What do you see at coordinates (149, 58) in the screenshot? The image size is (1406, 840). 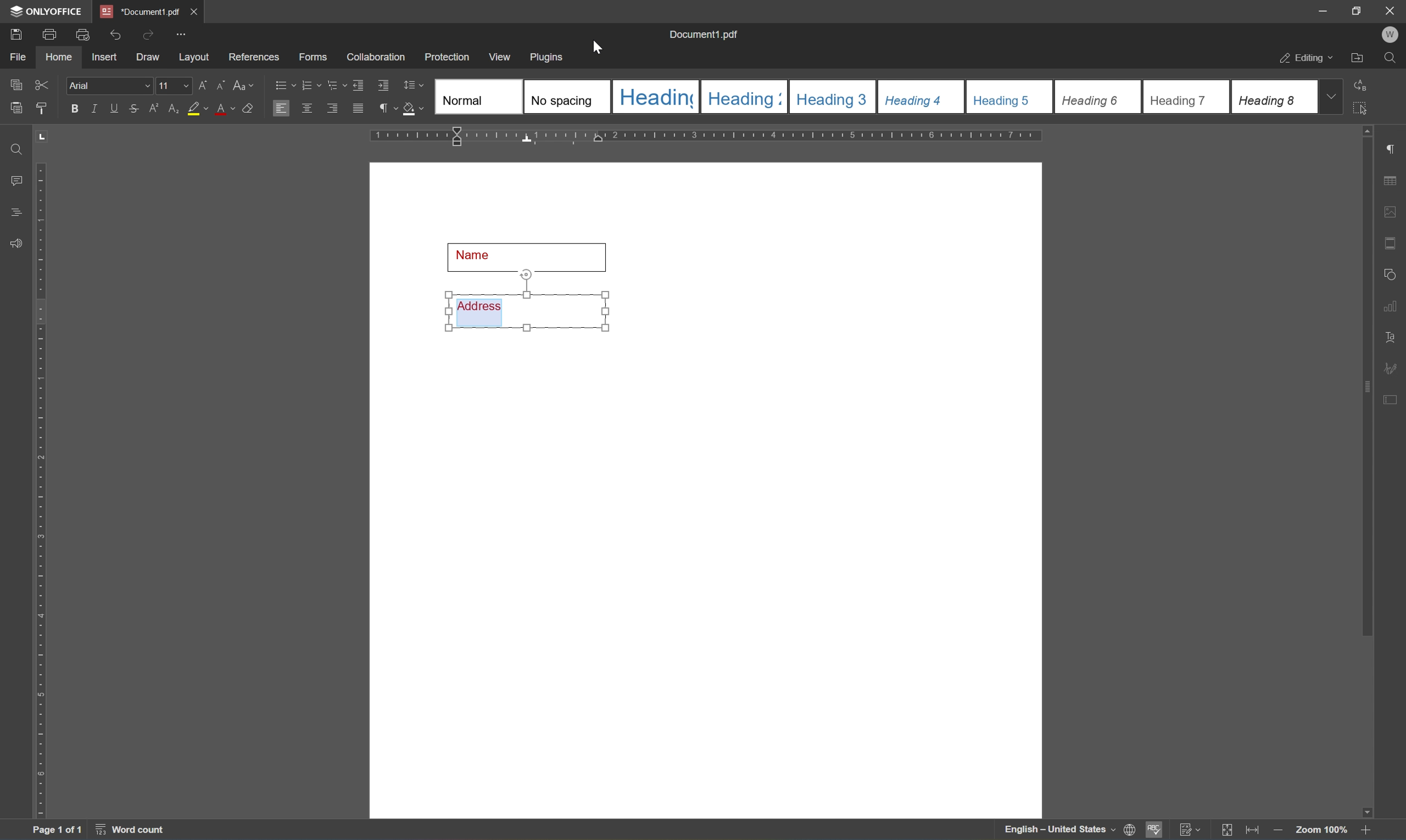 I see `draw` at bounding box center [149, 58].